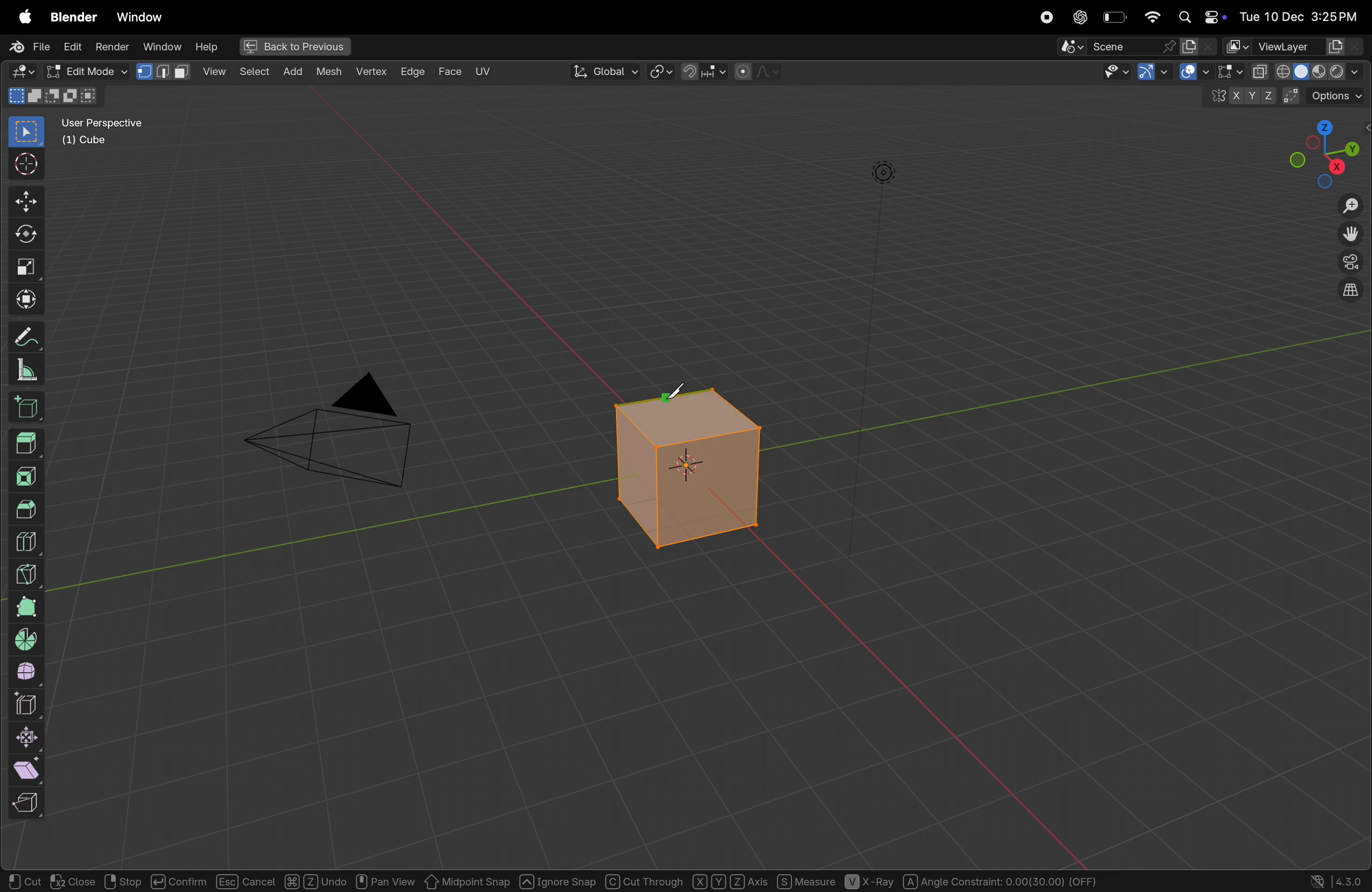  I want to click on Window, so click(161, 46).